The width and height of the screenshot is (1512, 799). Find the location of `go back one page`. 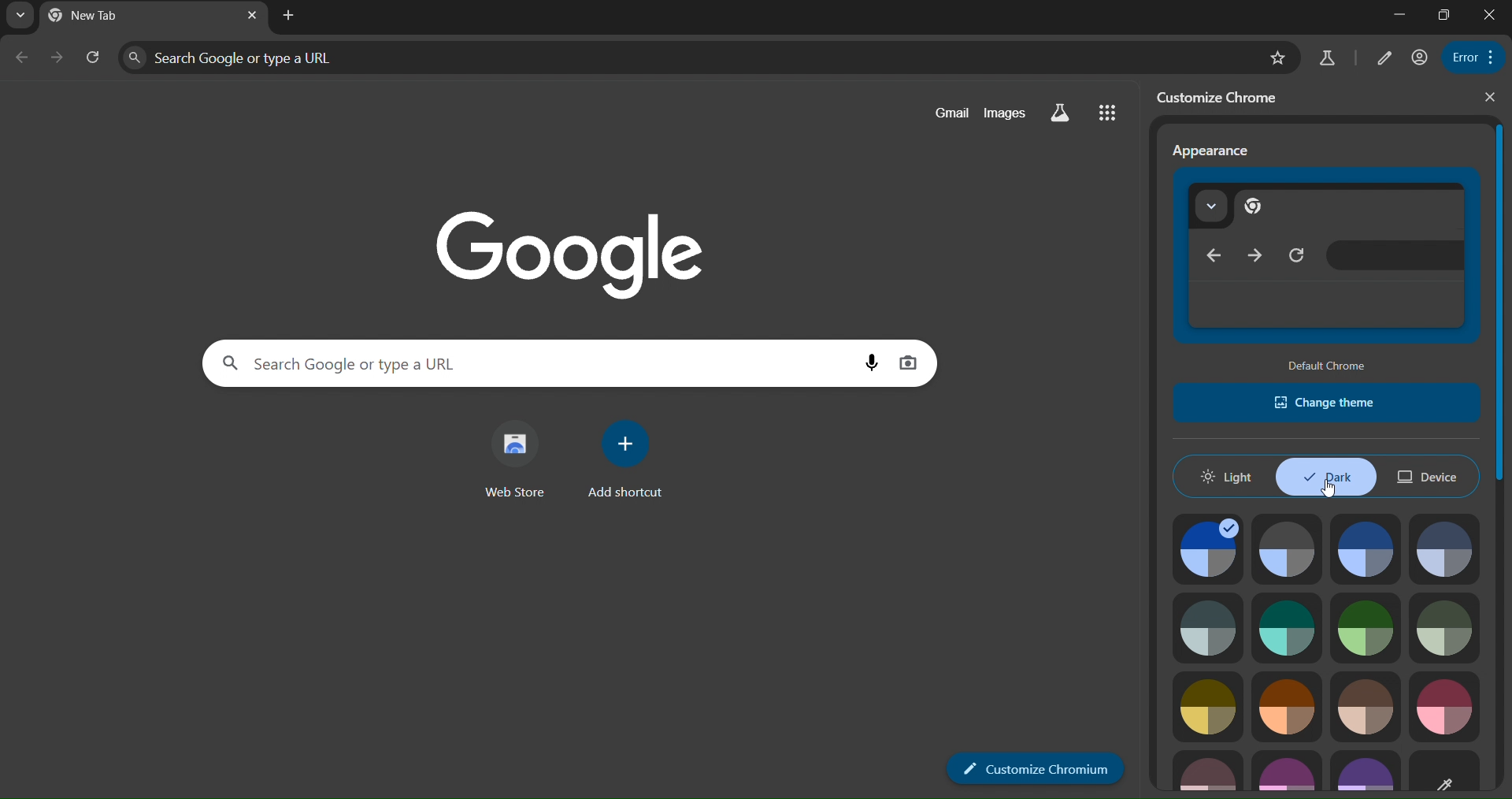

go back one page is located at coordinates (22, 58).